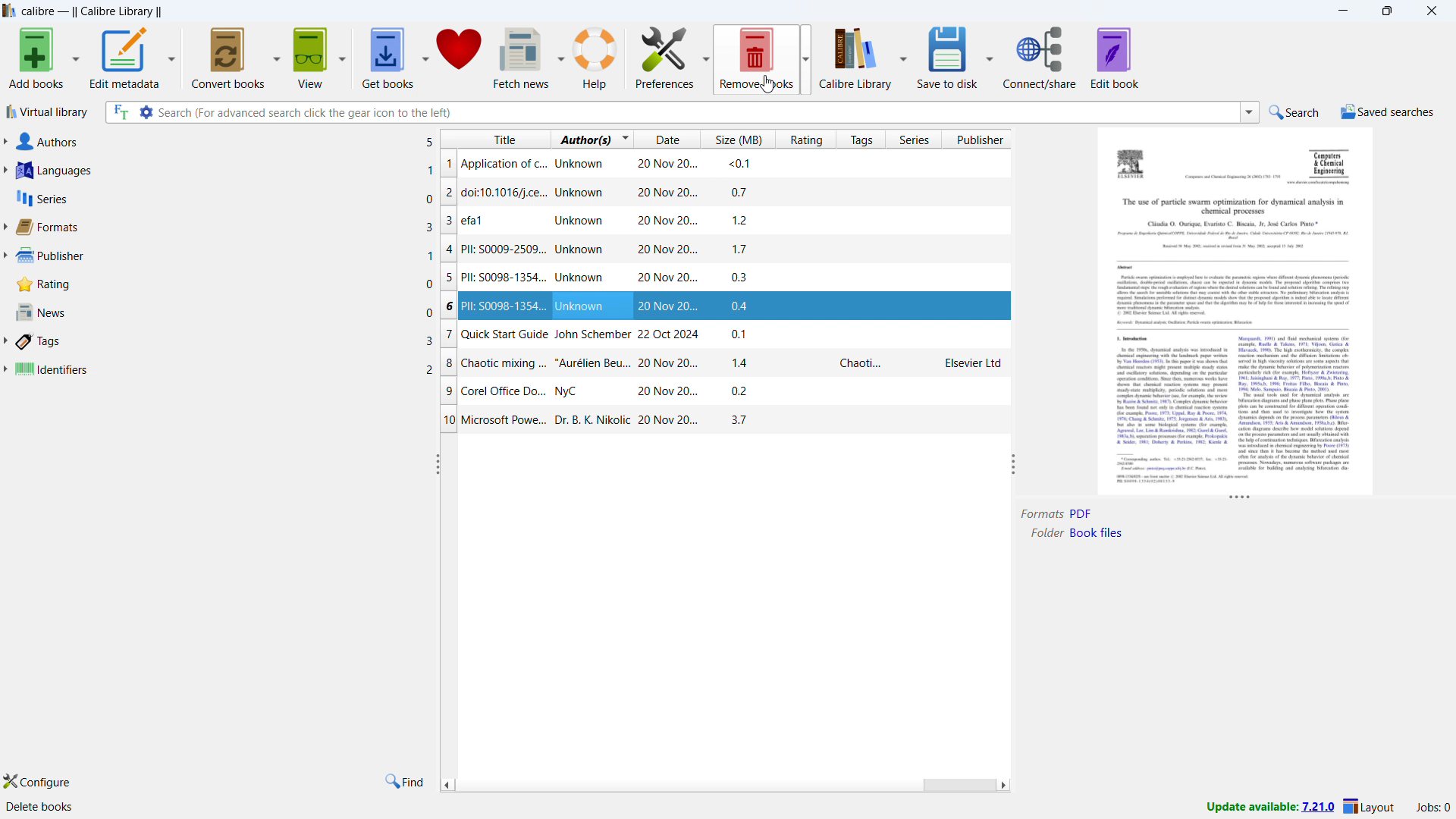 The height and width of the screenshot is (819, 1456). Describe the element at coordinates (948, 57) in the screenshot. I see `save to disk` at that location.